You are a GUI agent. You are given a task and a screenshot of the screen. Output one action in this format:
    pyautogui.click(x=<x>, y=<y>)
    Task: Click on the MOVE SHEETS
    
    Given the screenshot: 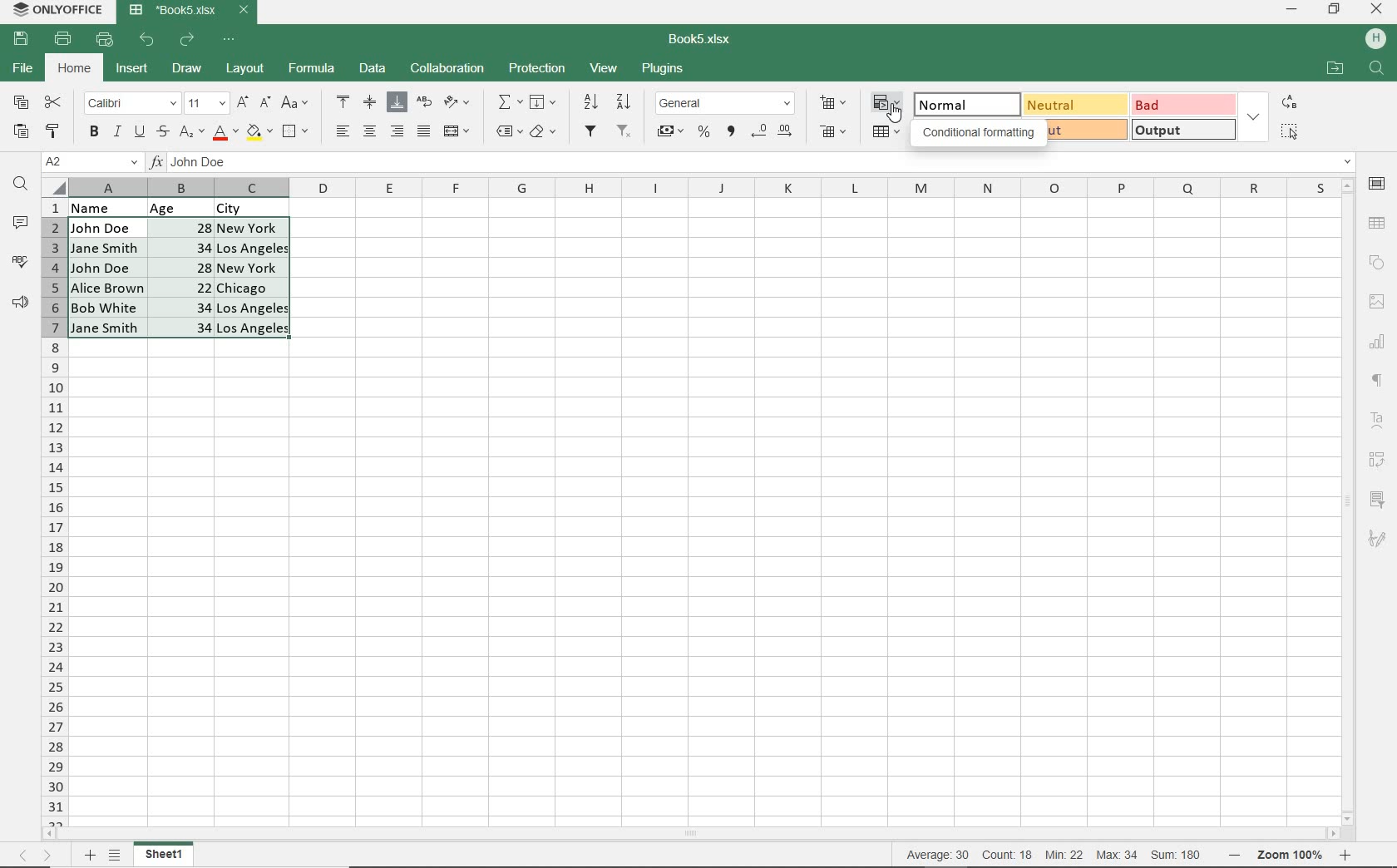 What is the action you would take?
    pyautogui.click(x=35, y=856)
    